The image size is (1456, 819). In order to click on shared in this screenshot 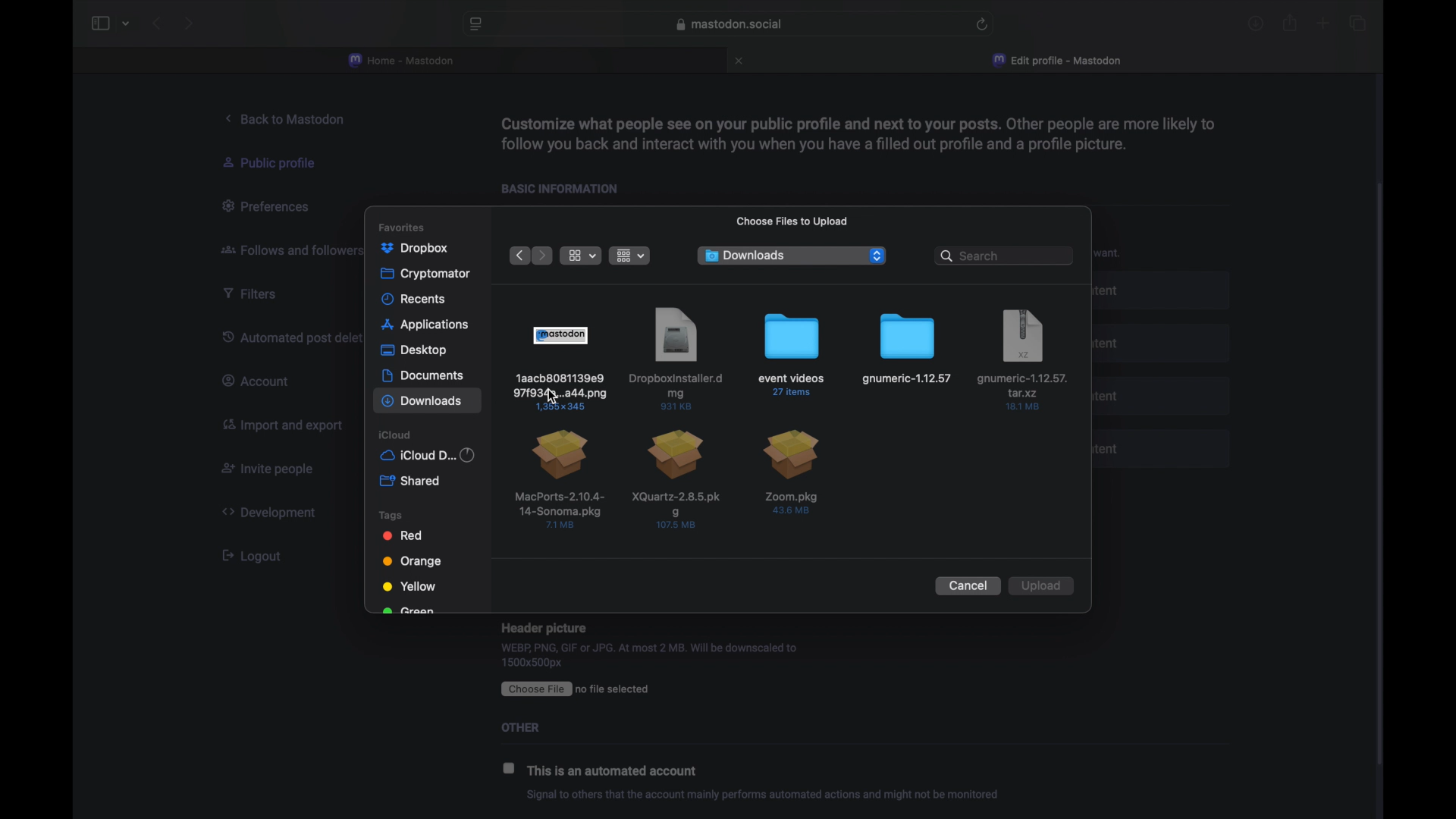, I will do `click(409, 481)`.